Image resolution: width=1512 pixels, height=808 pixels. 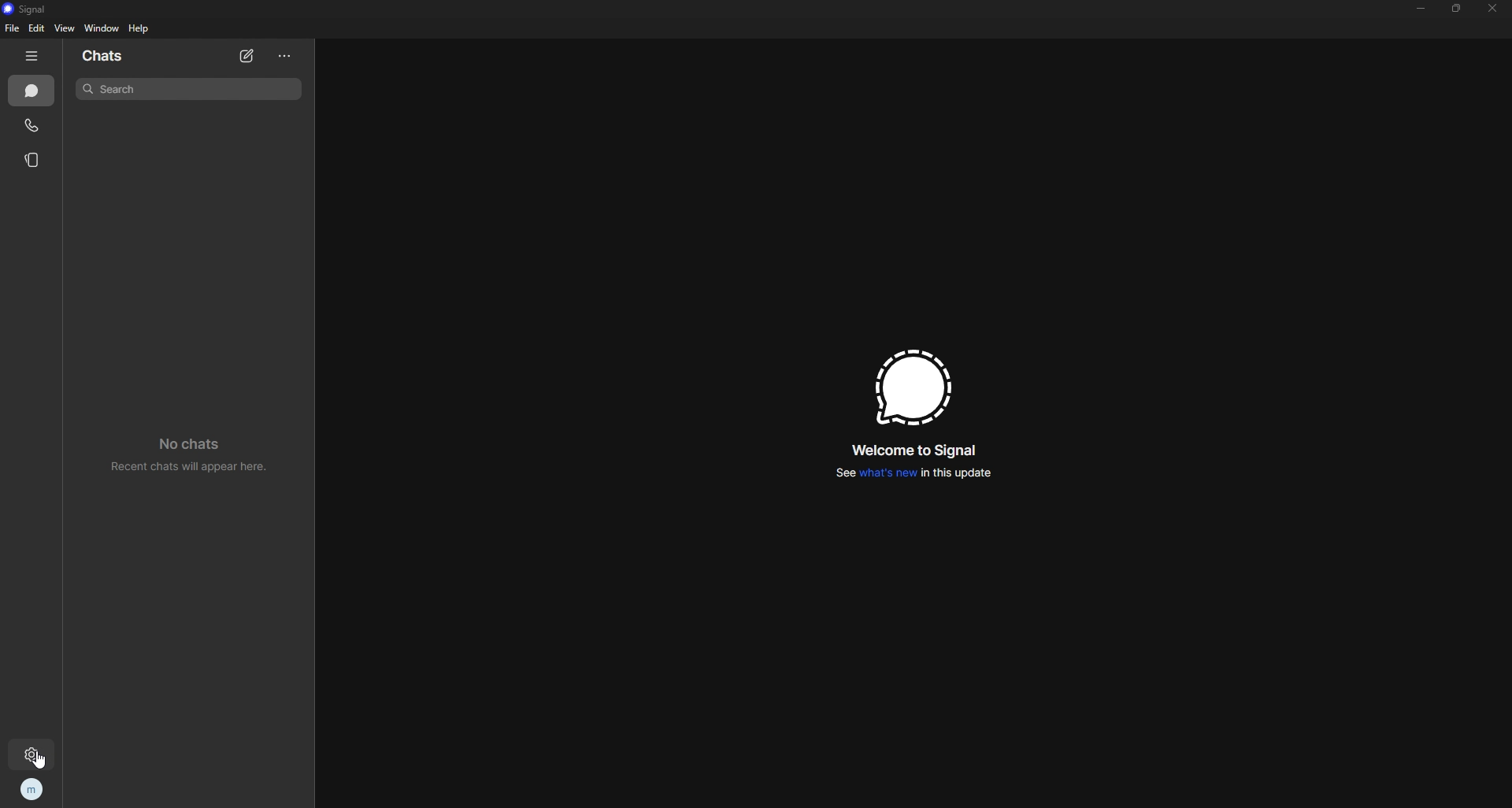 I want to click on no chats recent chats will appear here, so click(x=197, y=458).